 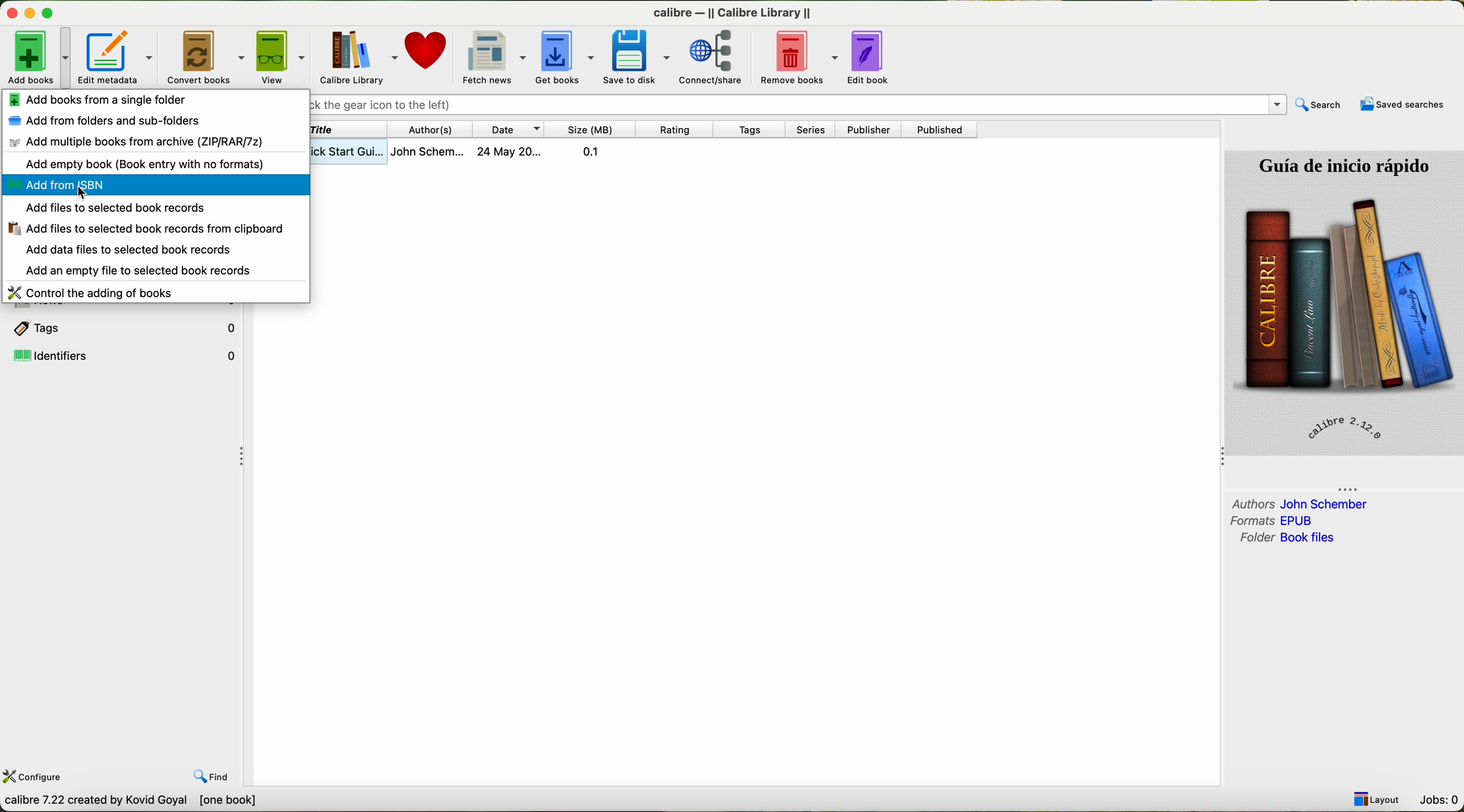 I want to click on add empty book, so click(x=135, y=163).